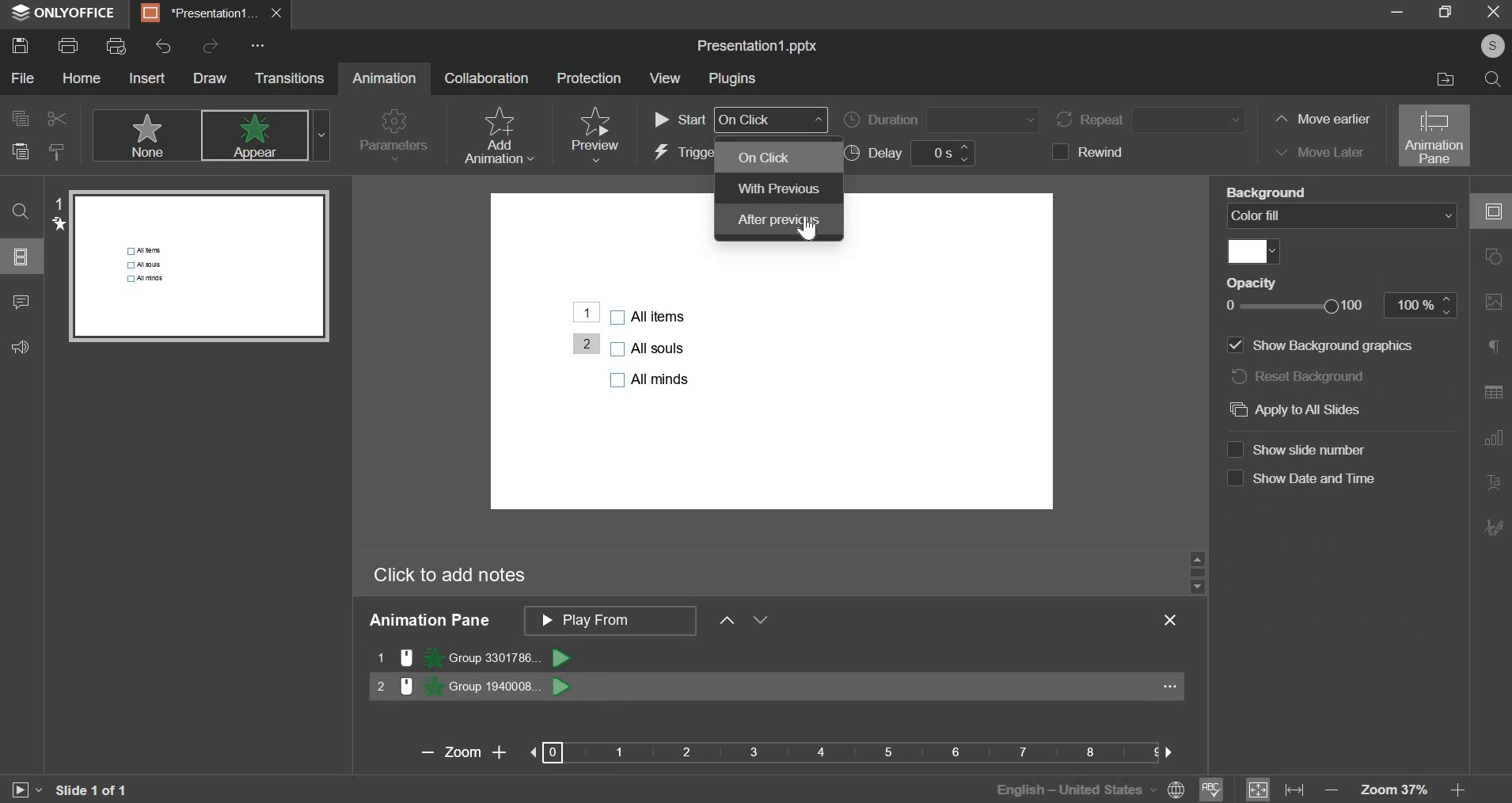 This screenshot has height=803, width=1512. I want to click on slide, so click(23, 257).